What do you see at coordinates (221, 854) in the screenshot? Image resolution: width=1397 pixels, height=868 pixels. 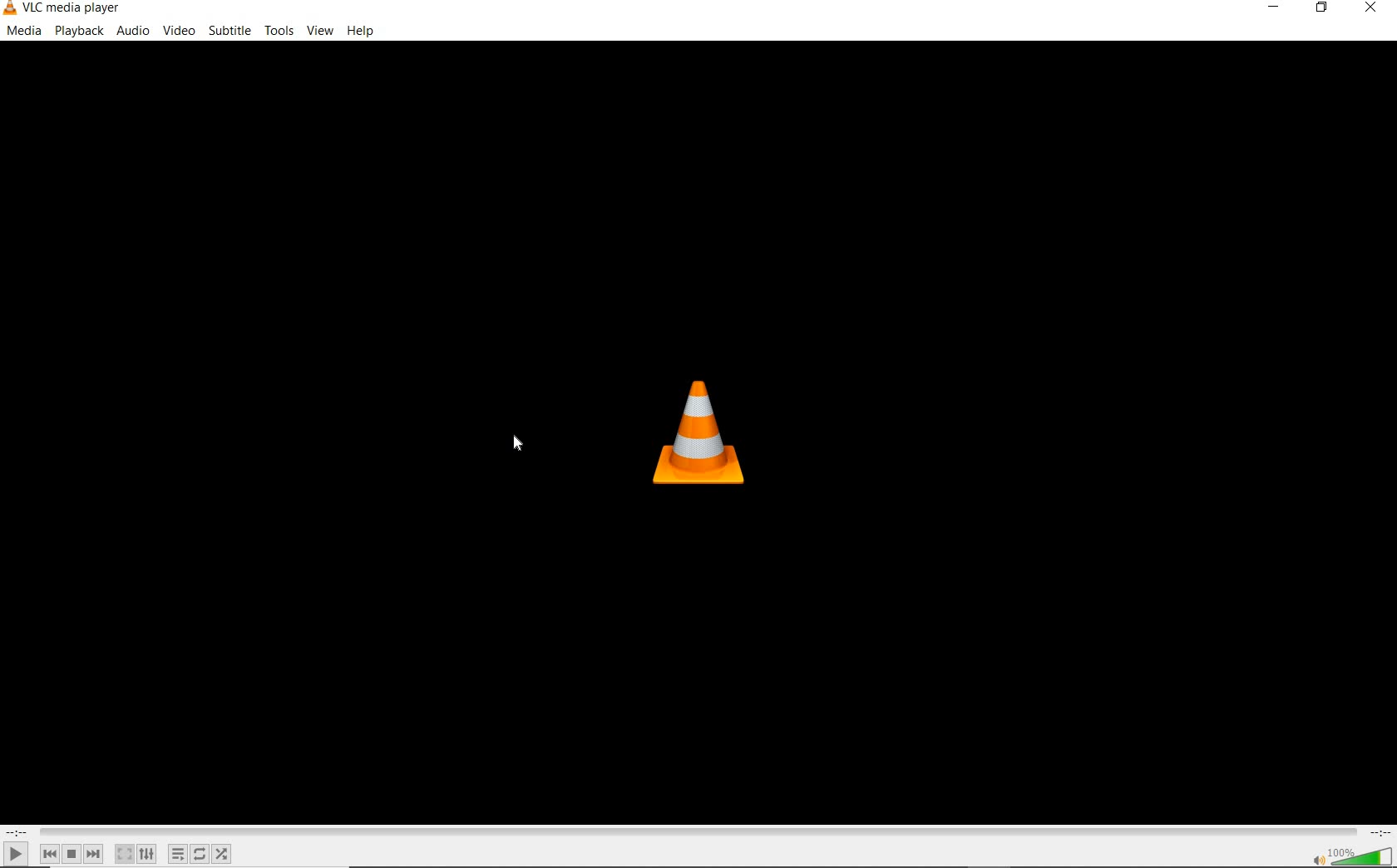 I see `random` at bounding box center [221, 854].